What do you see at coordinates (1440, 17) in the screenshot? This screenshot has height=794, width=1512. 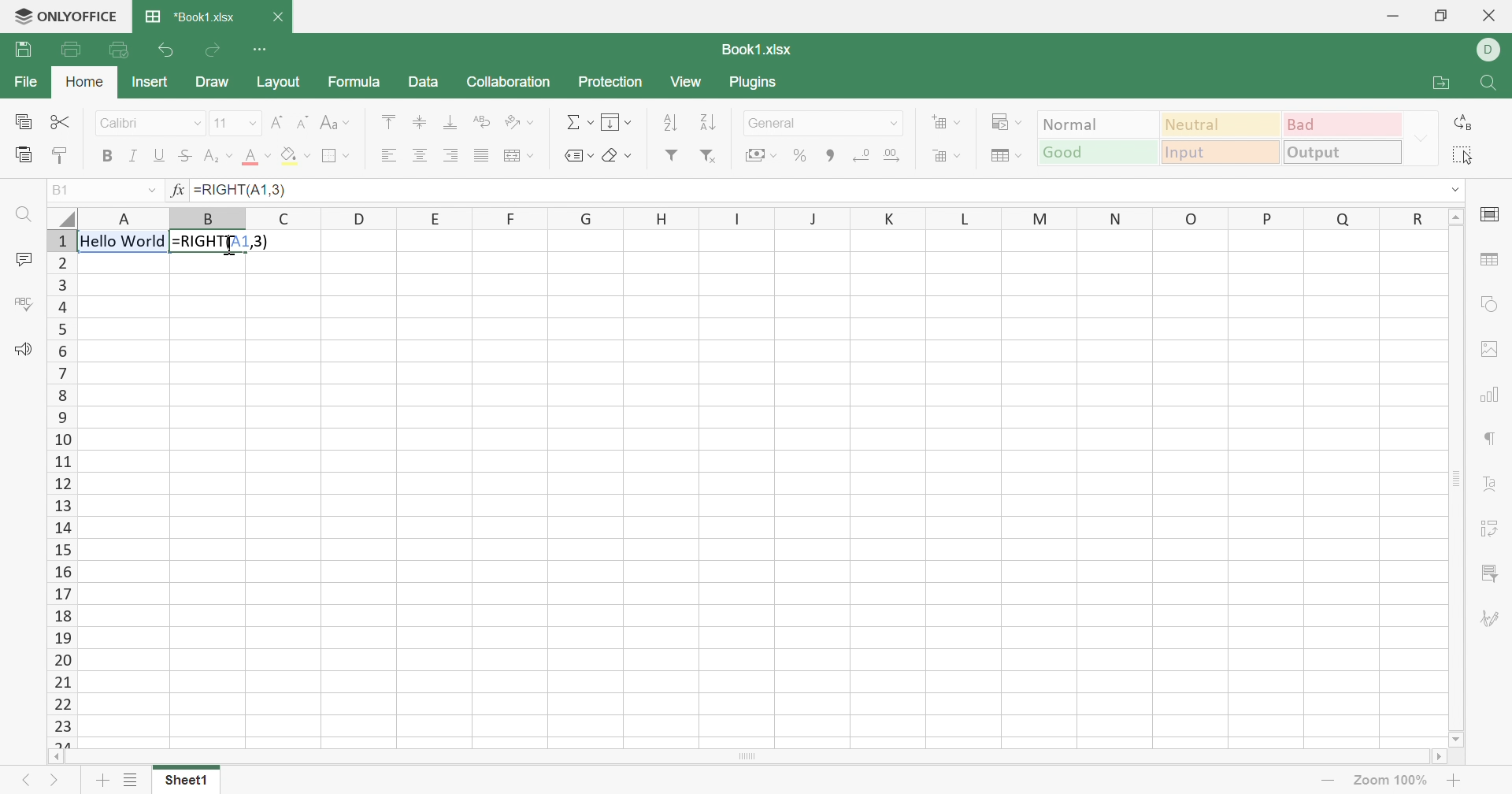 I see `Restore down` at bounding box center [1440, 17].